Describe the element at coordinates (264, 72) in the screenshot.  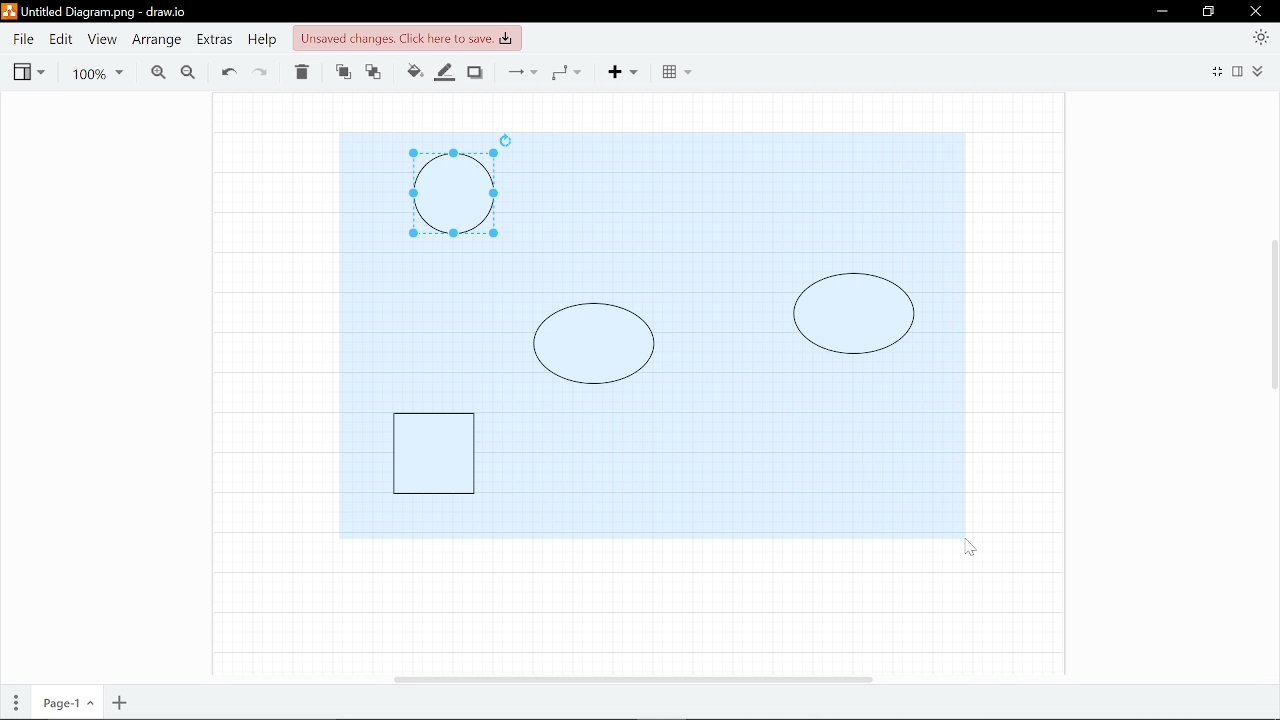
I see `Redo` at that location.